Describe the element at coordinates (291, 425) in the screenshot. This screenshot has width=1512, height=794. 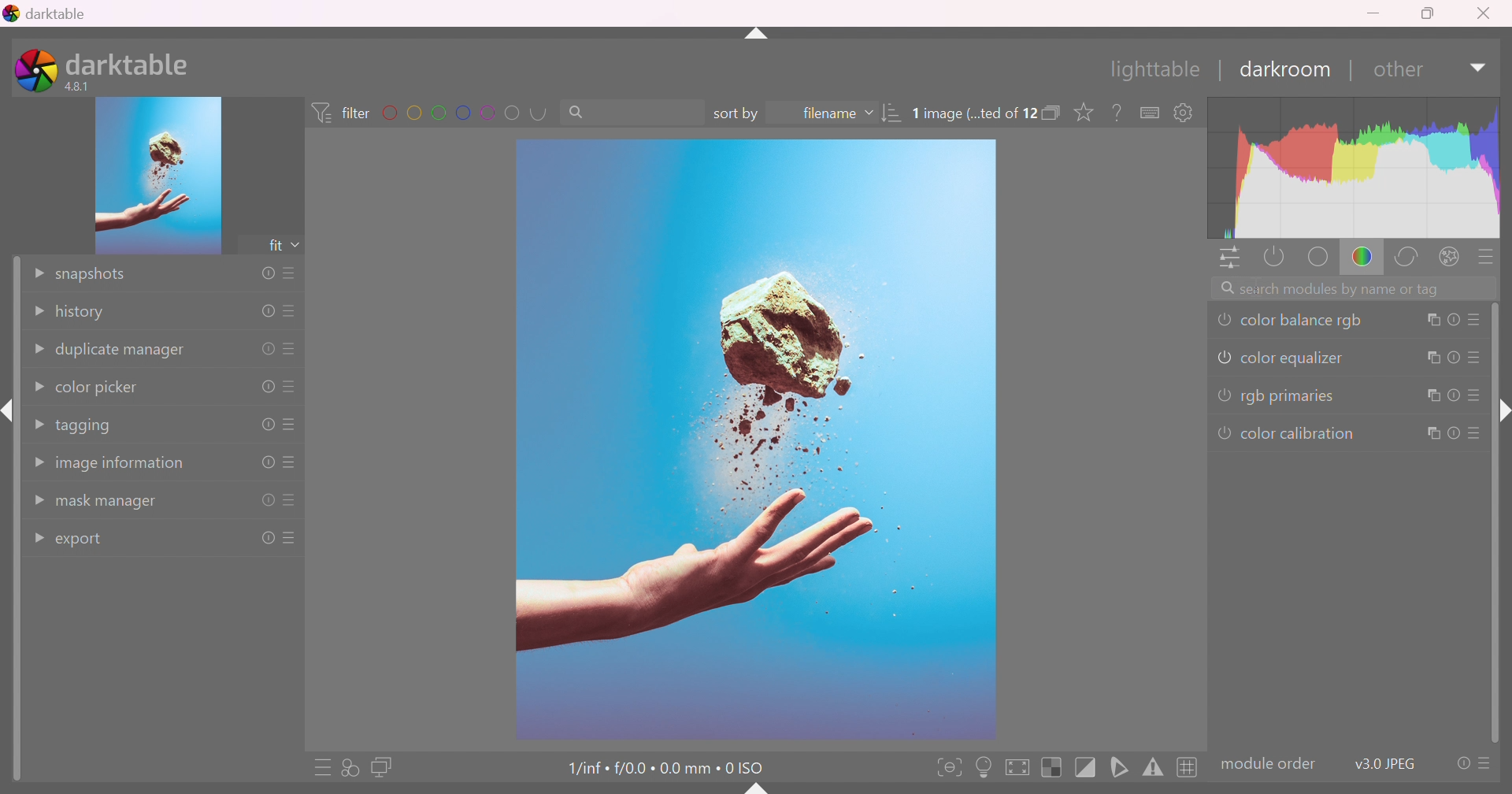
I see `presets` at that location.